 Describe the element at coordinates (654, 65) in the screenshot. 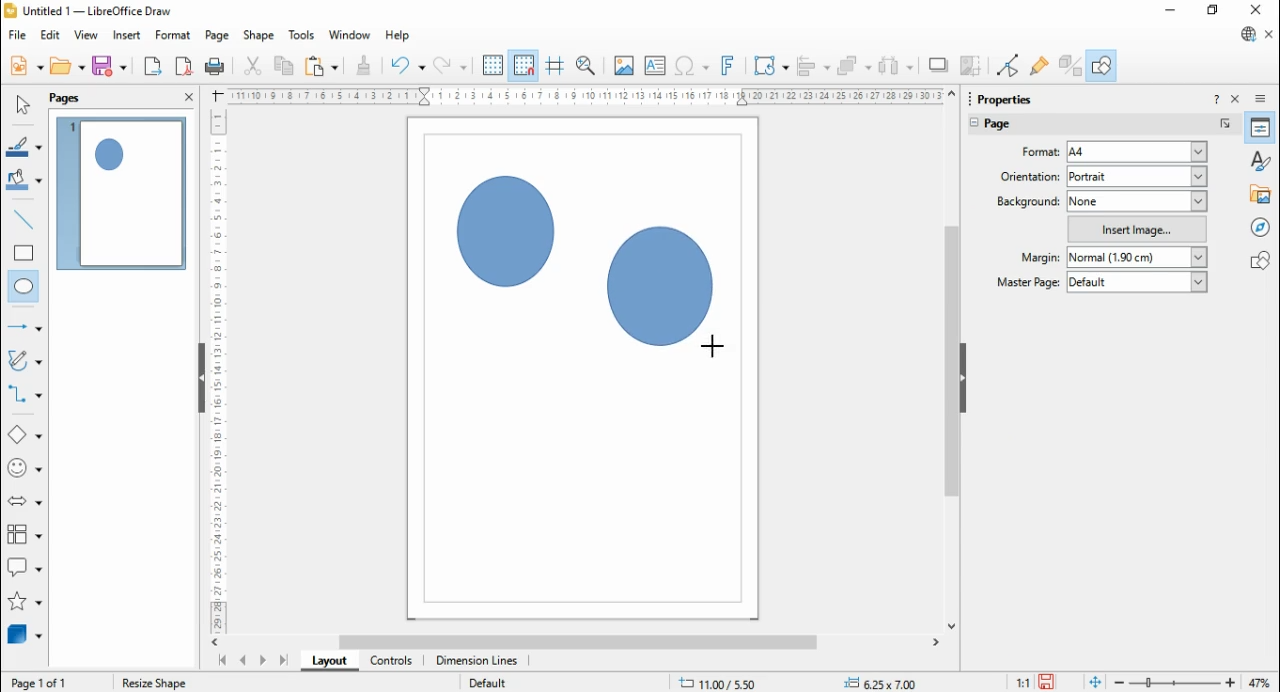

I see `insert text box` at that location.